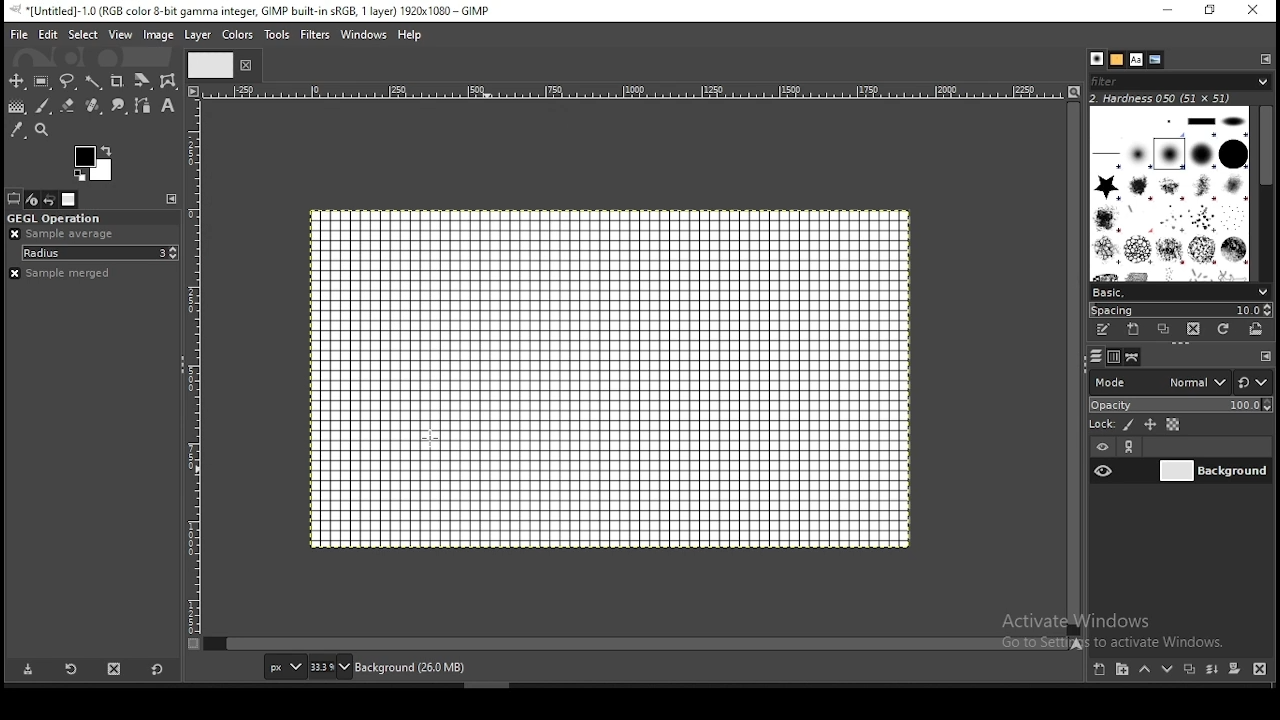  Describe the element at coordinates (1166, 329) in the screenshot. I see `duplicate brush` at that location.